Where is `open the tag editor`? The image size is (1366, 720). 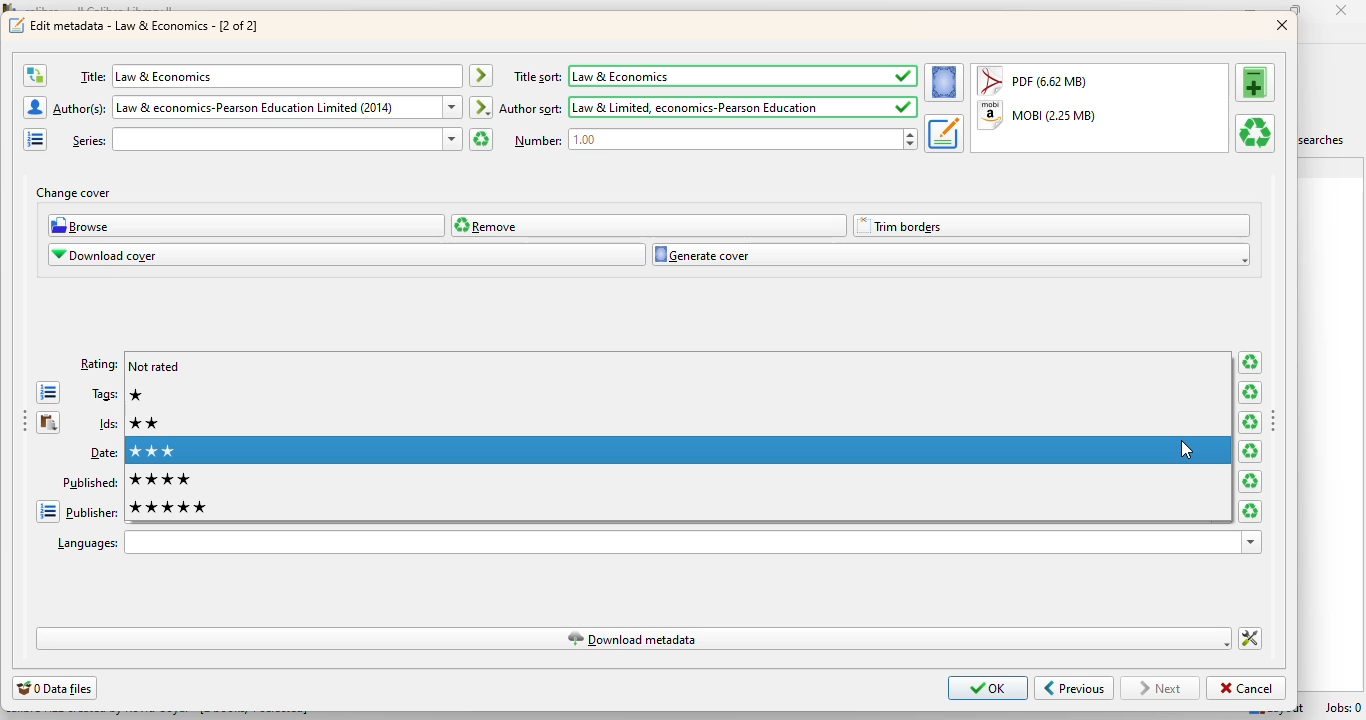
open the tag editor is located at coordinates (49, 393).